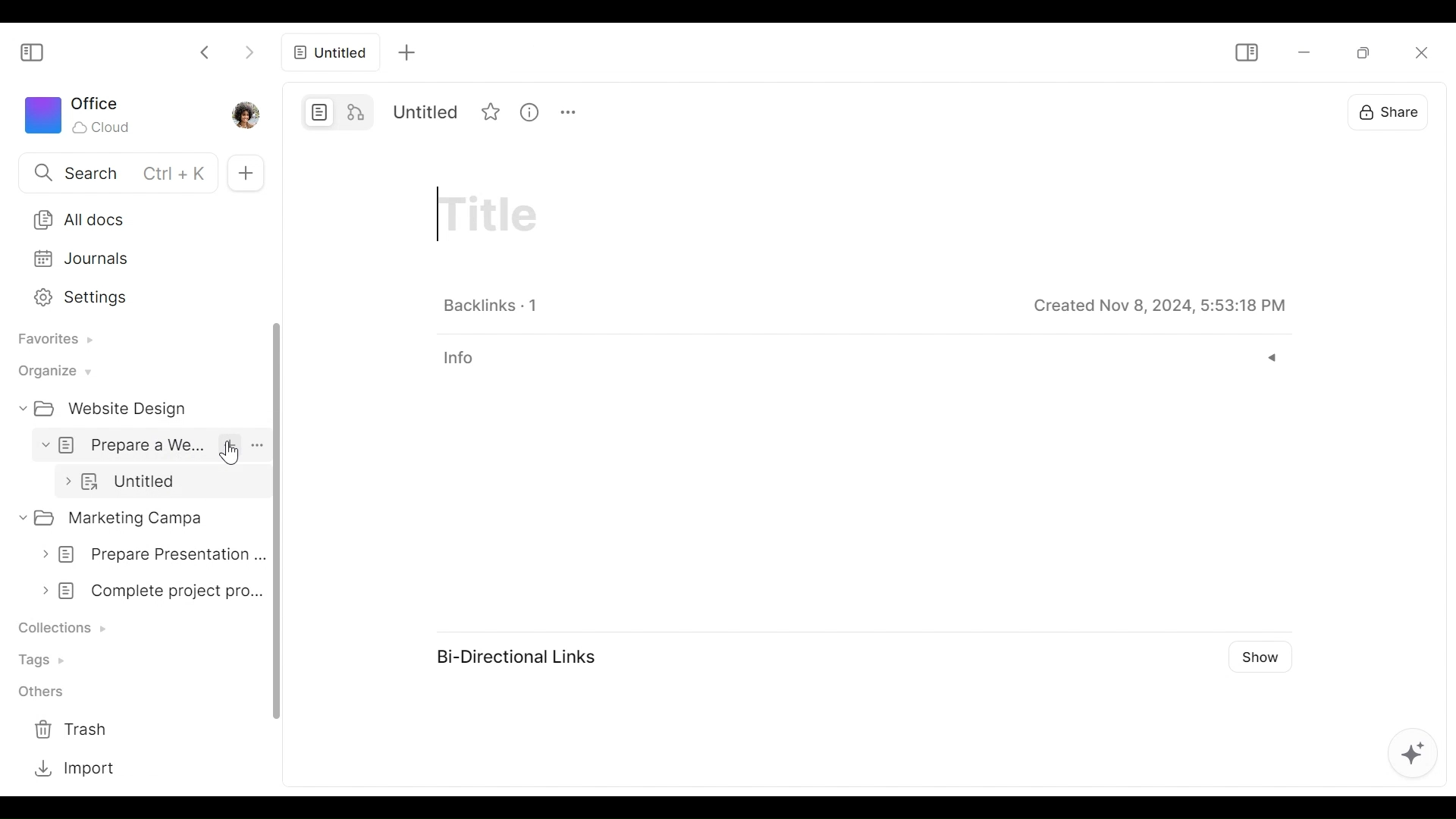 Image resolution: width=1456 pixels, height=819 pixels. Describe the element at coordinates (1246, 52) in the screenshot. I see `Show/Hide Sidebar` at that location.